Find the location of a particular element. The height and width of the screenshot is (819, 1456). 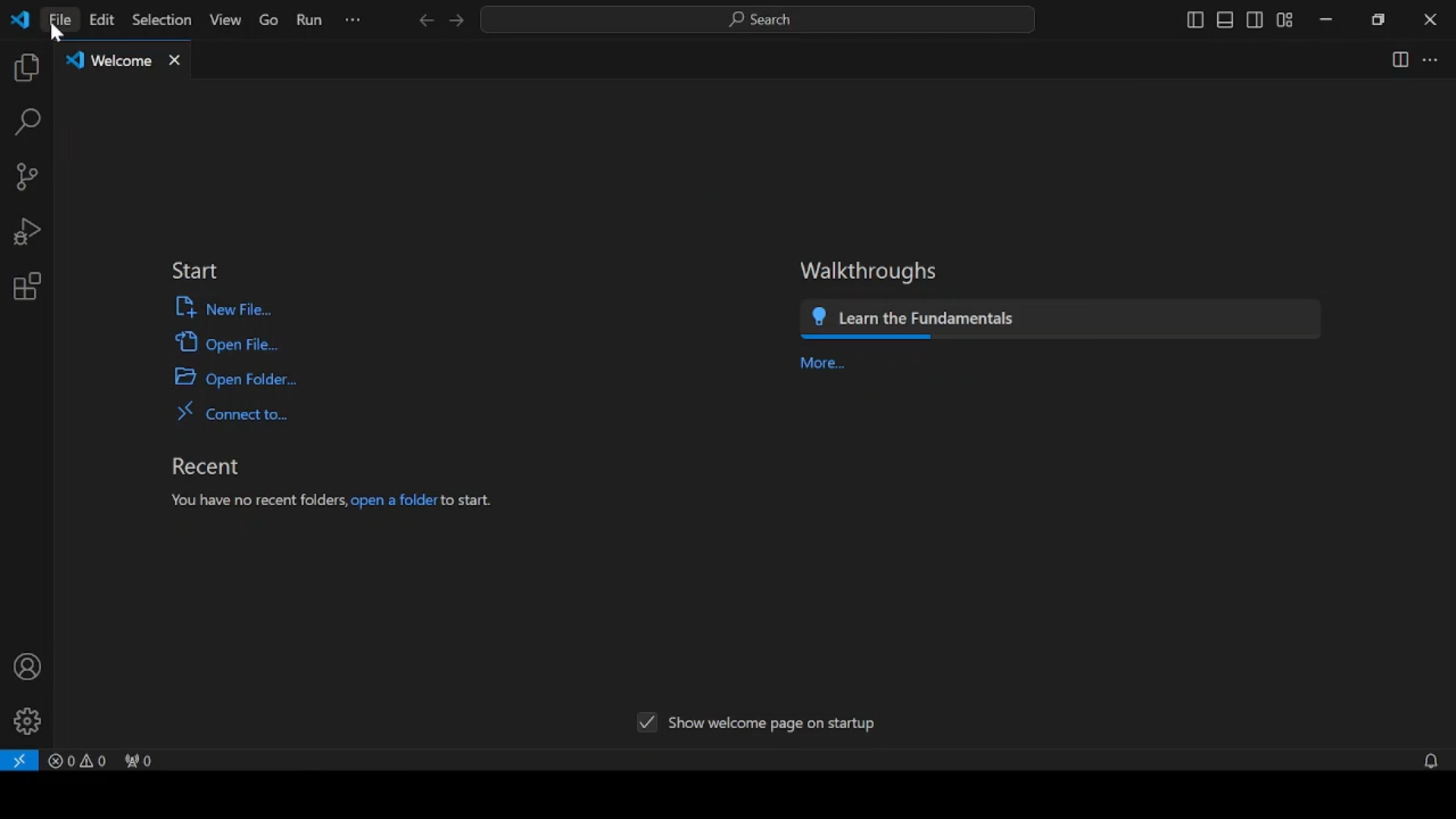

previous is located at coordinates (425, 20).